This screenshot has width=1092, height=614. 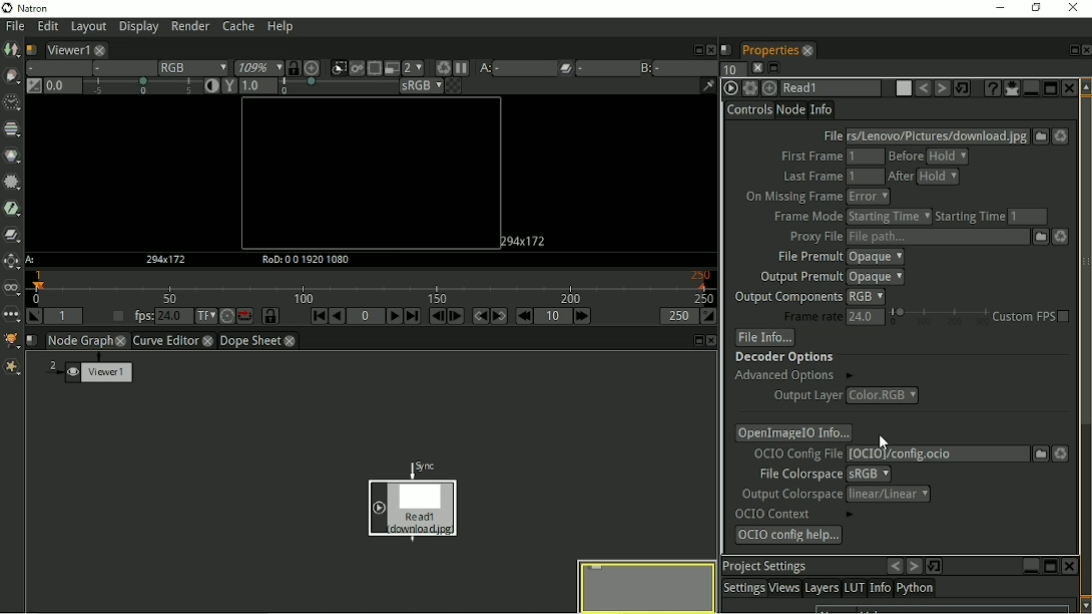 What do you see at coordinates (10, 101) in the screenshot?
I see `Time` at bounding box center [10, 101].